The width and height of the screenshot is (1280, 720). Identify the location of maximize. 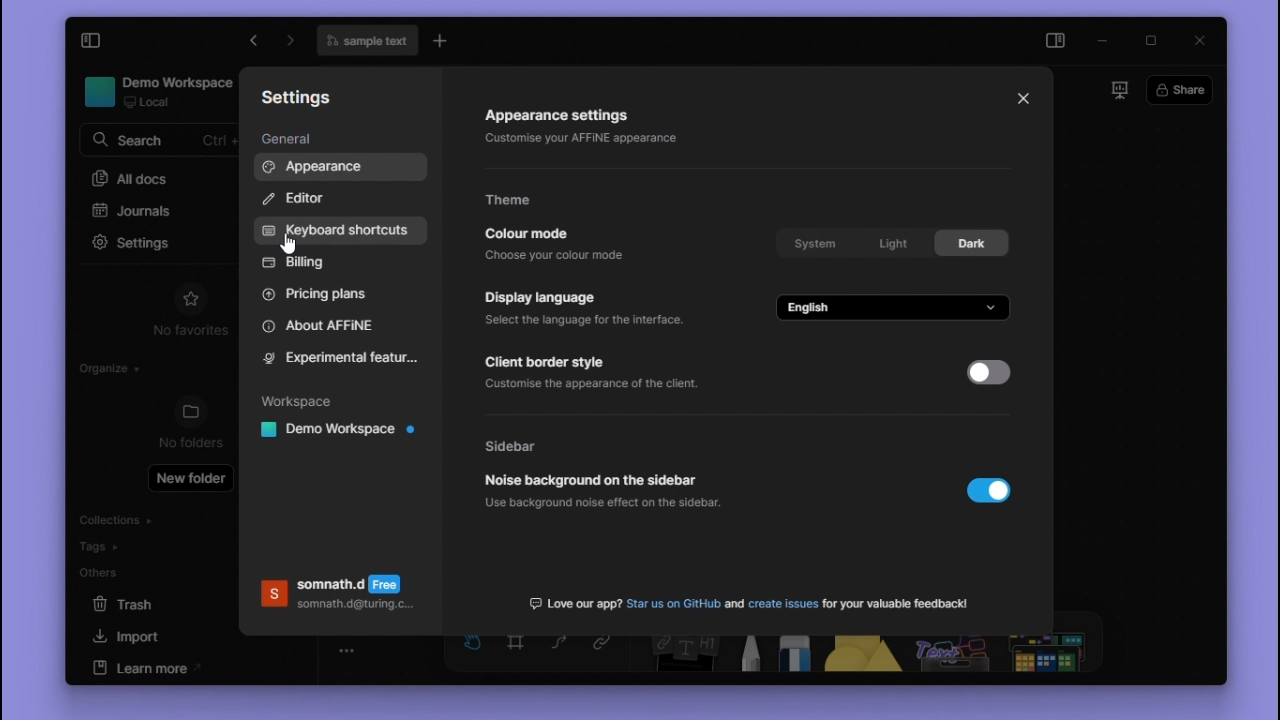
(1150, 37).